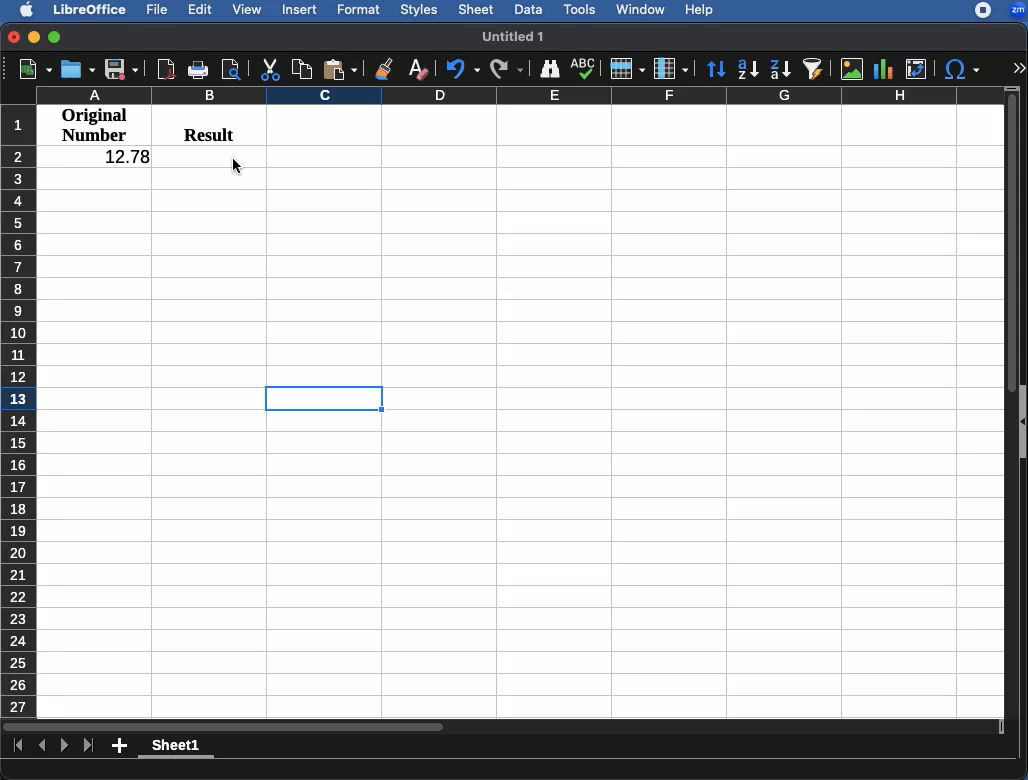 This screenshot has height=780, width=1028. Describe the element at coordinates (42, 745) in the screenshot. I see `Previous page` at that location.